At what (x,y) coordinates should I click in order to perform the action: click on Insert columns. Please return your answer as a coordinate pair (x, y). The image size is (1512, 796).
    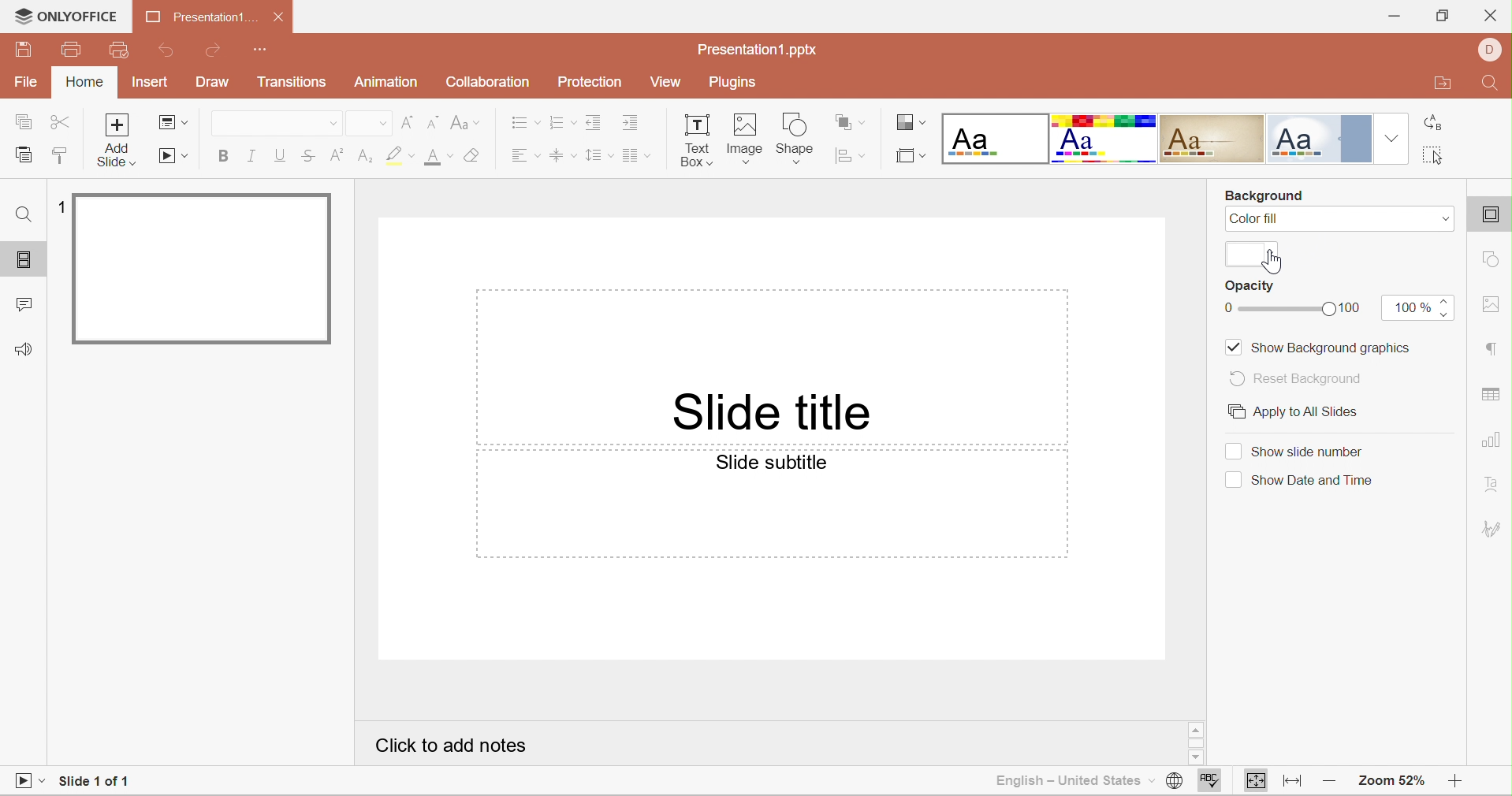
    Looking at the image, I should click on (639, 156).